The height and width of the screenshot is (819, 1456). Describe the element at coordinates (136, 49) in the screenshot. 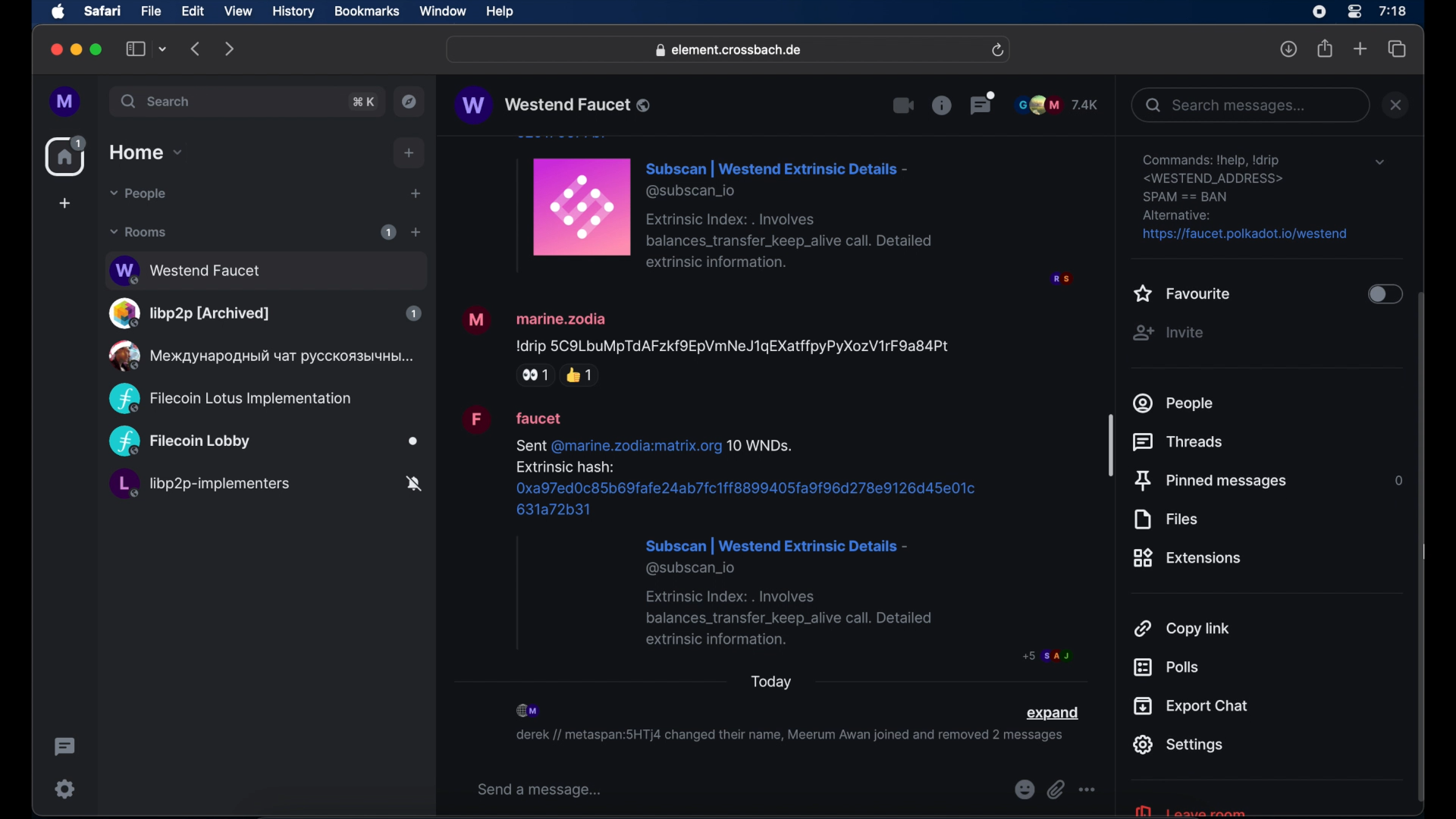

I see `show sidebar` at that location.